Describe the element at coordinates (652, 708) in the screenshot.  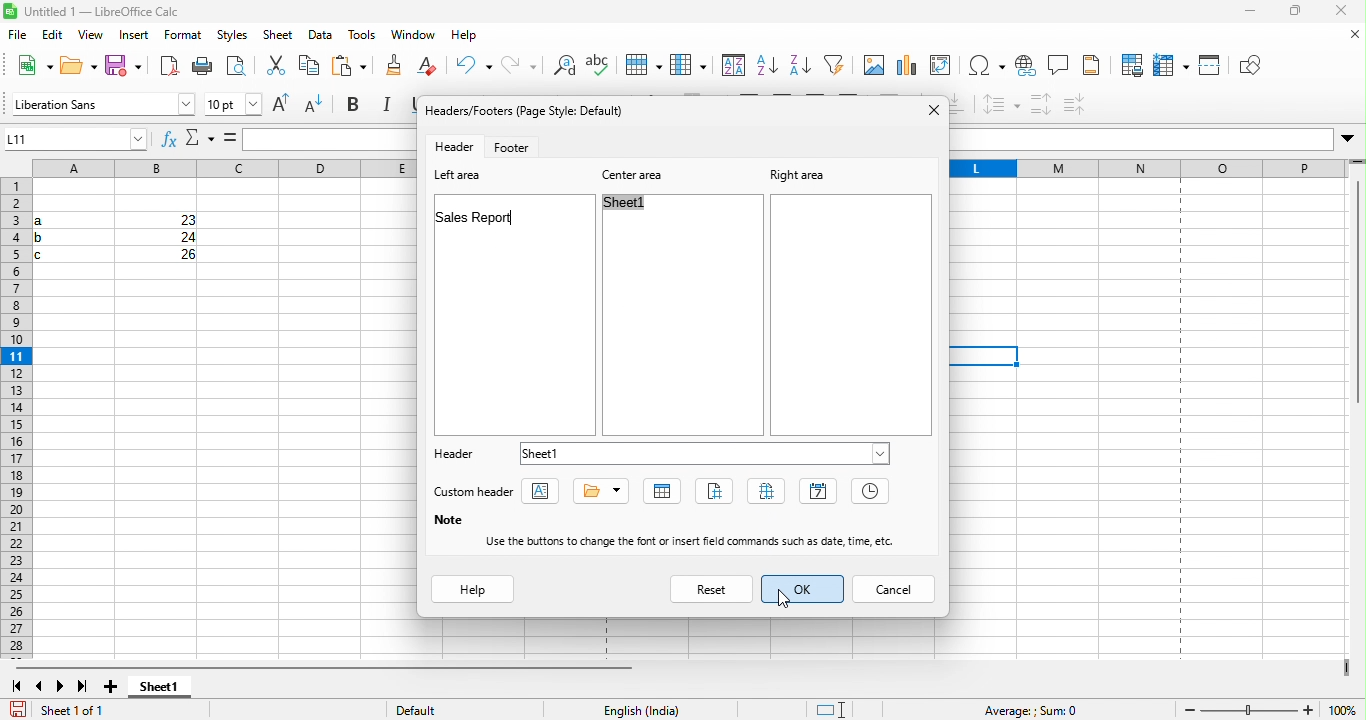
I see `text language` at that location.